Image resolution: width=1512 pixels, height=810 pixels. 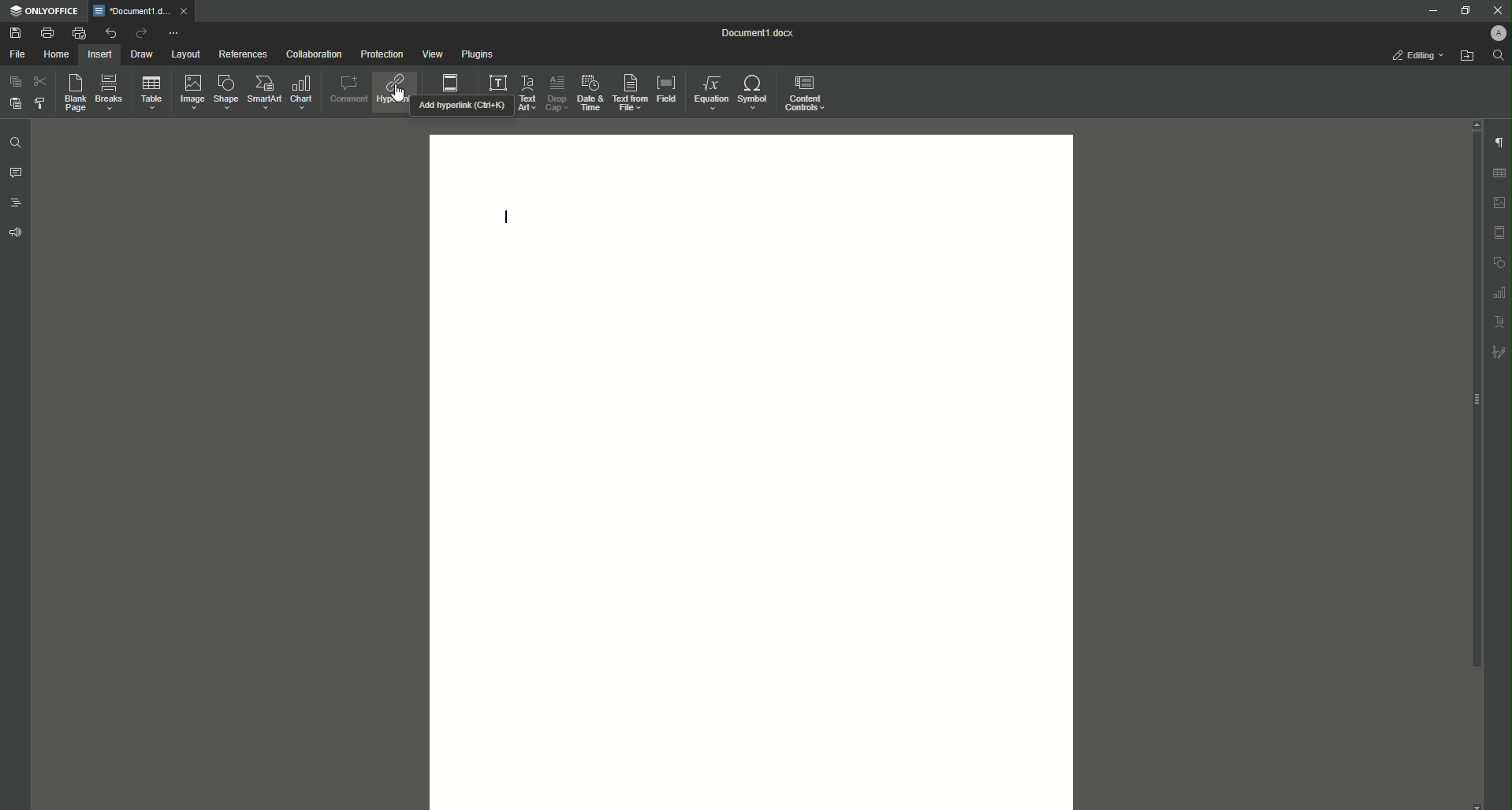 I want to click on Find, so click(x=1499, y=55).